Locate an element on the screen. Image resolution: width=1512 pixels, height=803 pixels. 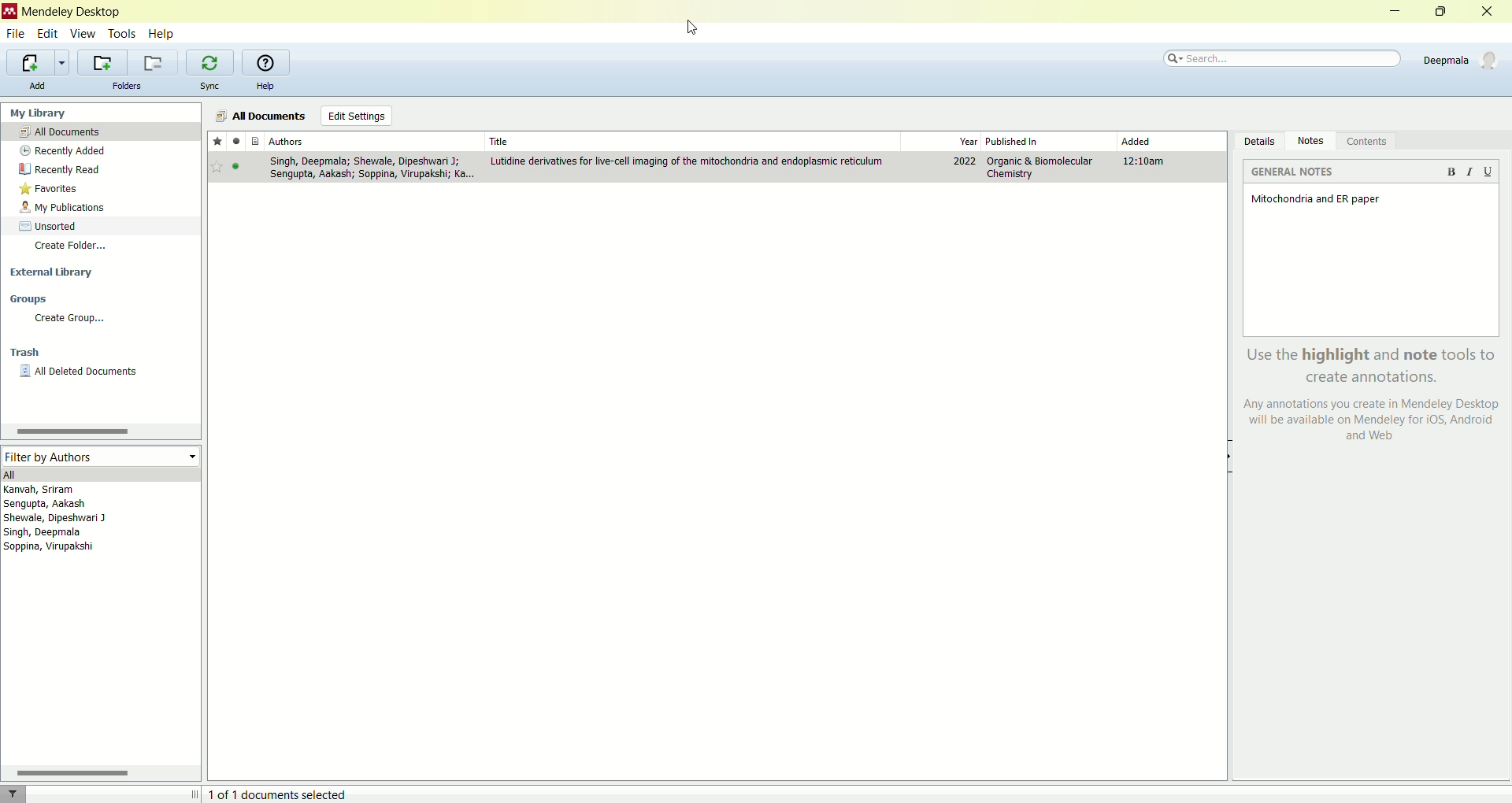
2022 is located at coordinates (965, 162).